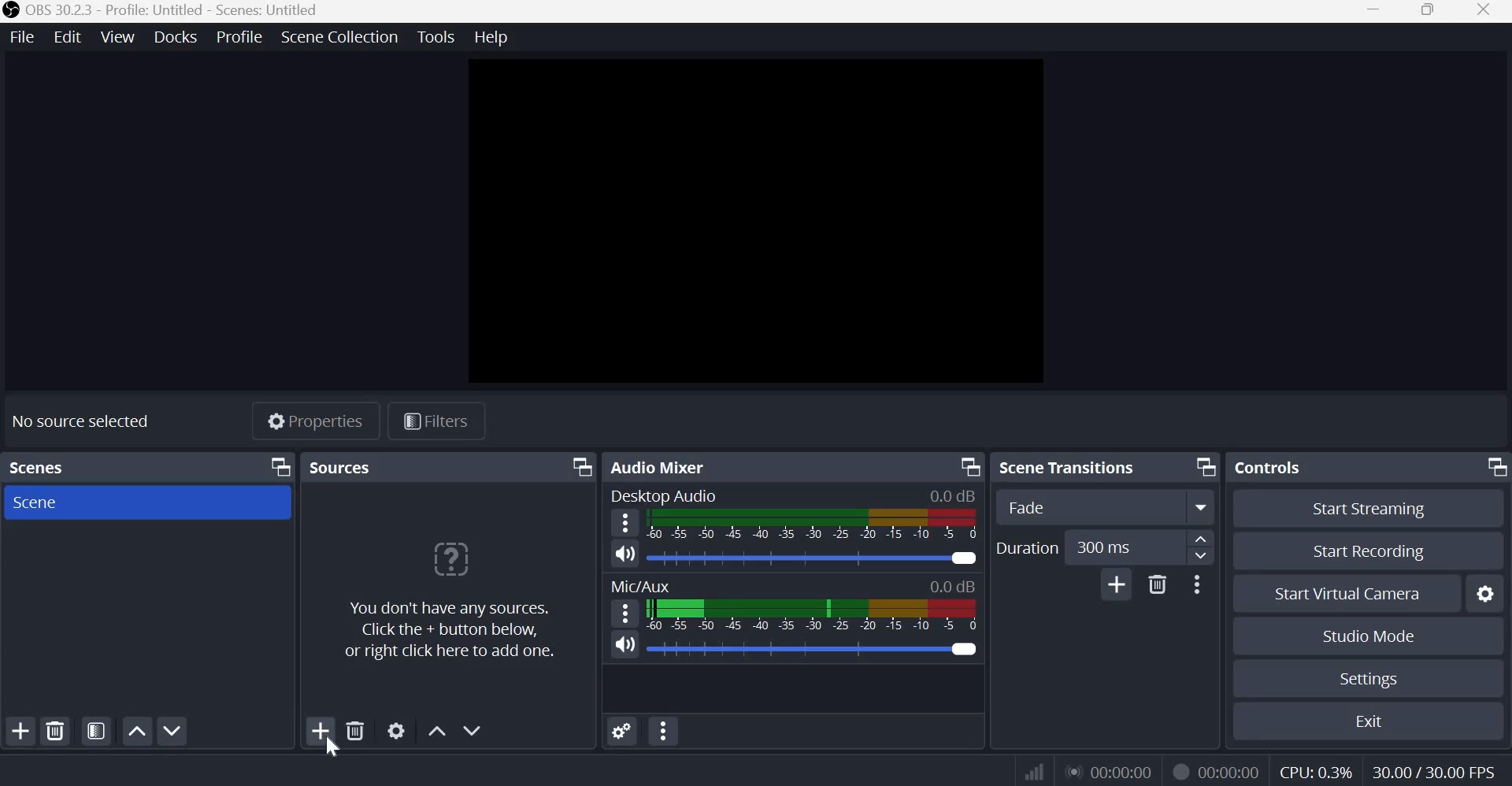  I want to click on Speaker icon, so click(625, 553).